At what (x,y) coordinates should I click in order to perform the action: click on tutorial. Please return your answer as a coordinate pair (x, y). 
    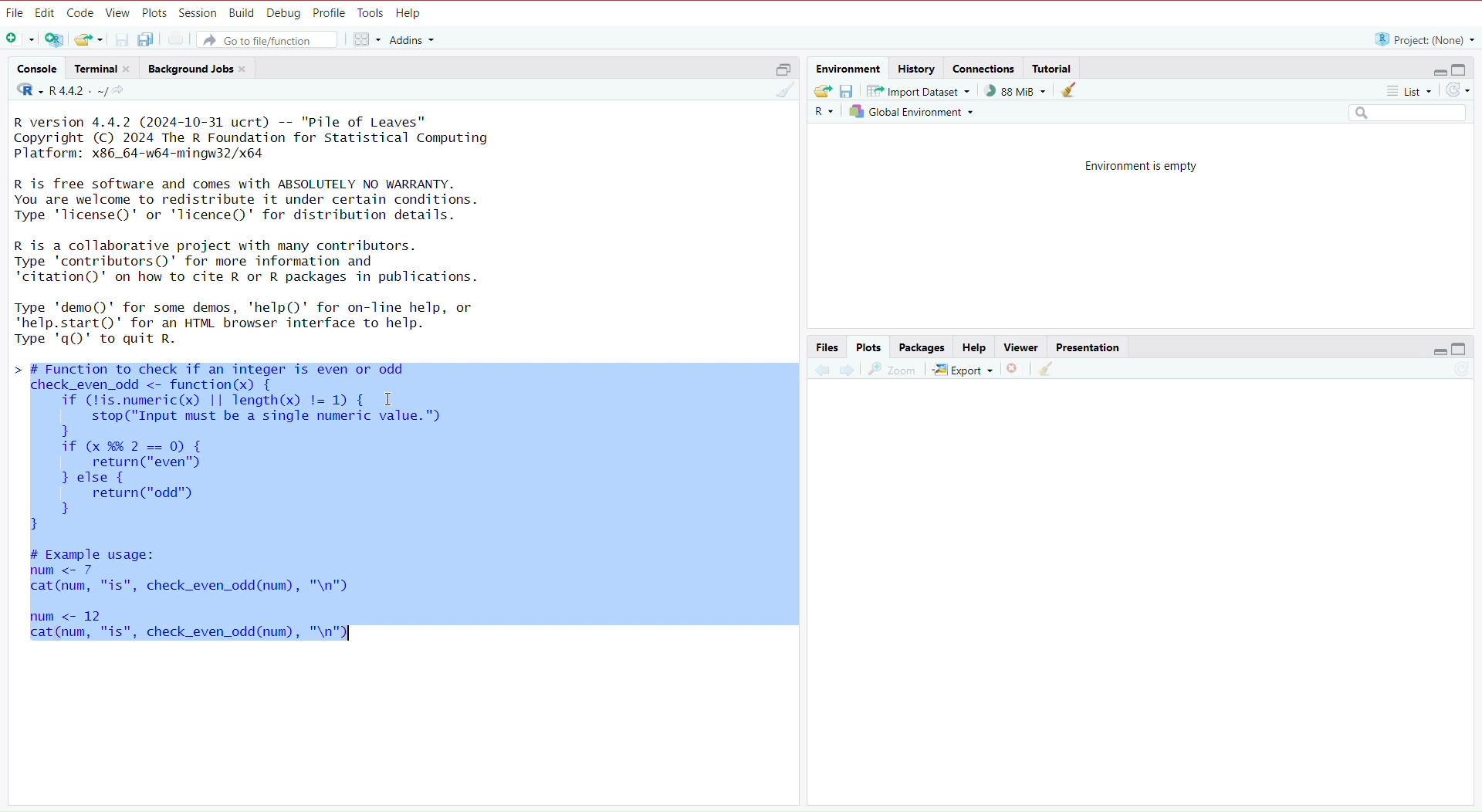
    Looking at the image, I should click on (1054, 68).